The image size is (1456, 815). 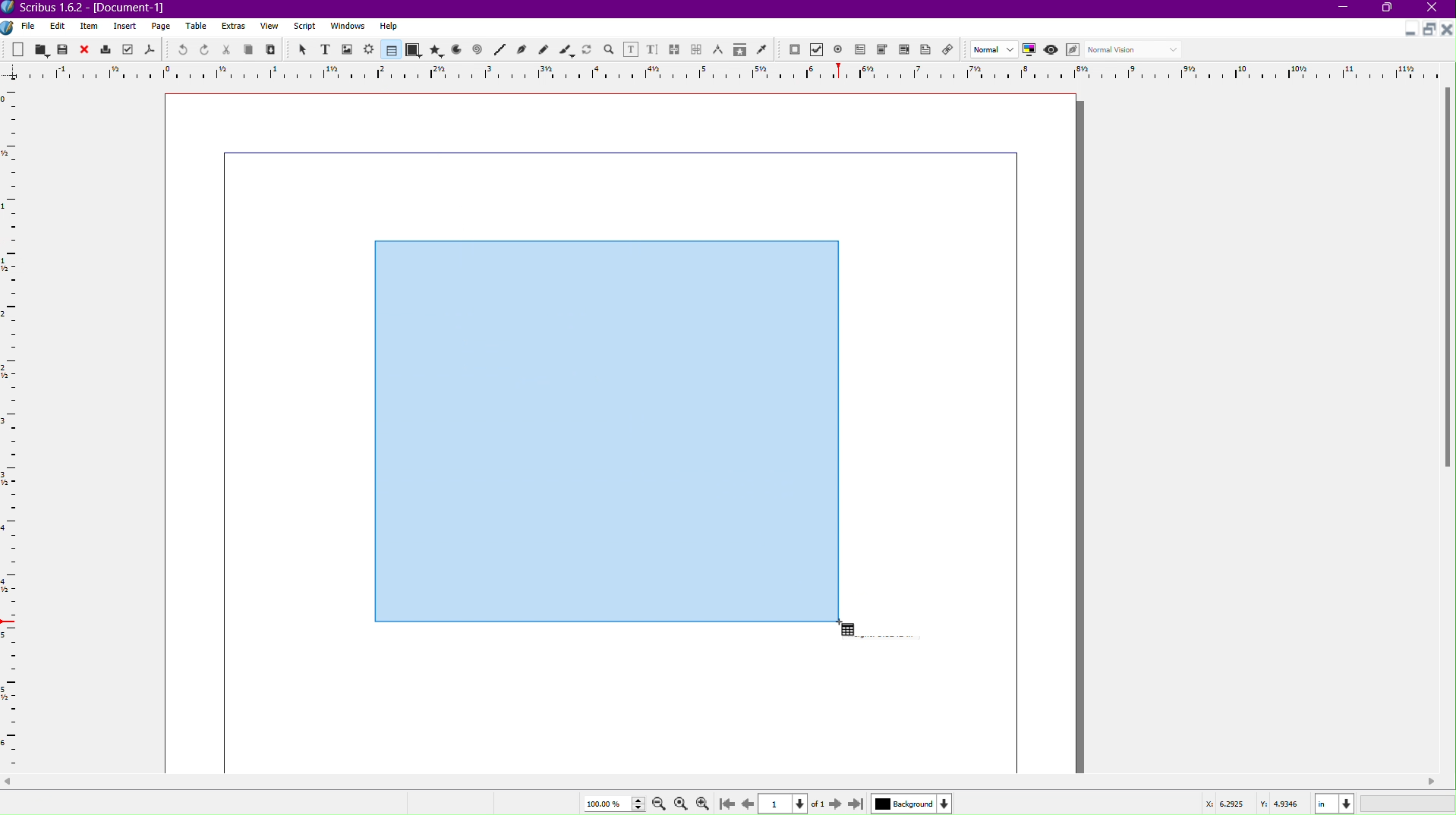 I want to click on Maximize, so click(x=1390, y=10).